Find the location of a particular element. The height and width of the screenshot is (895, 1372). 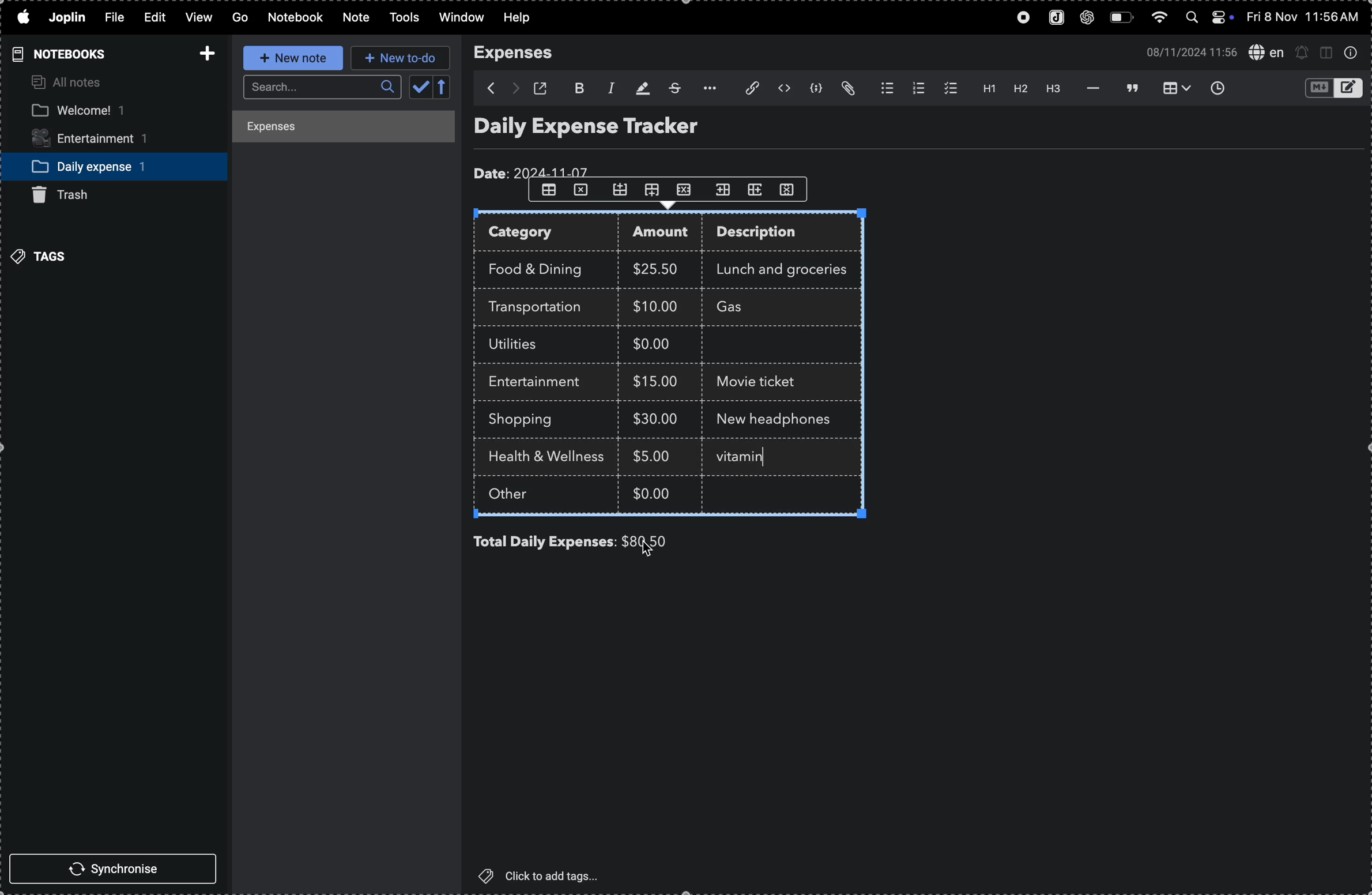

attach file is located at coordinates (745, 89).